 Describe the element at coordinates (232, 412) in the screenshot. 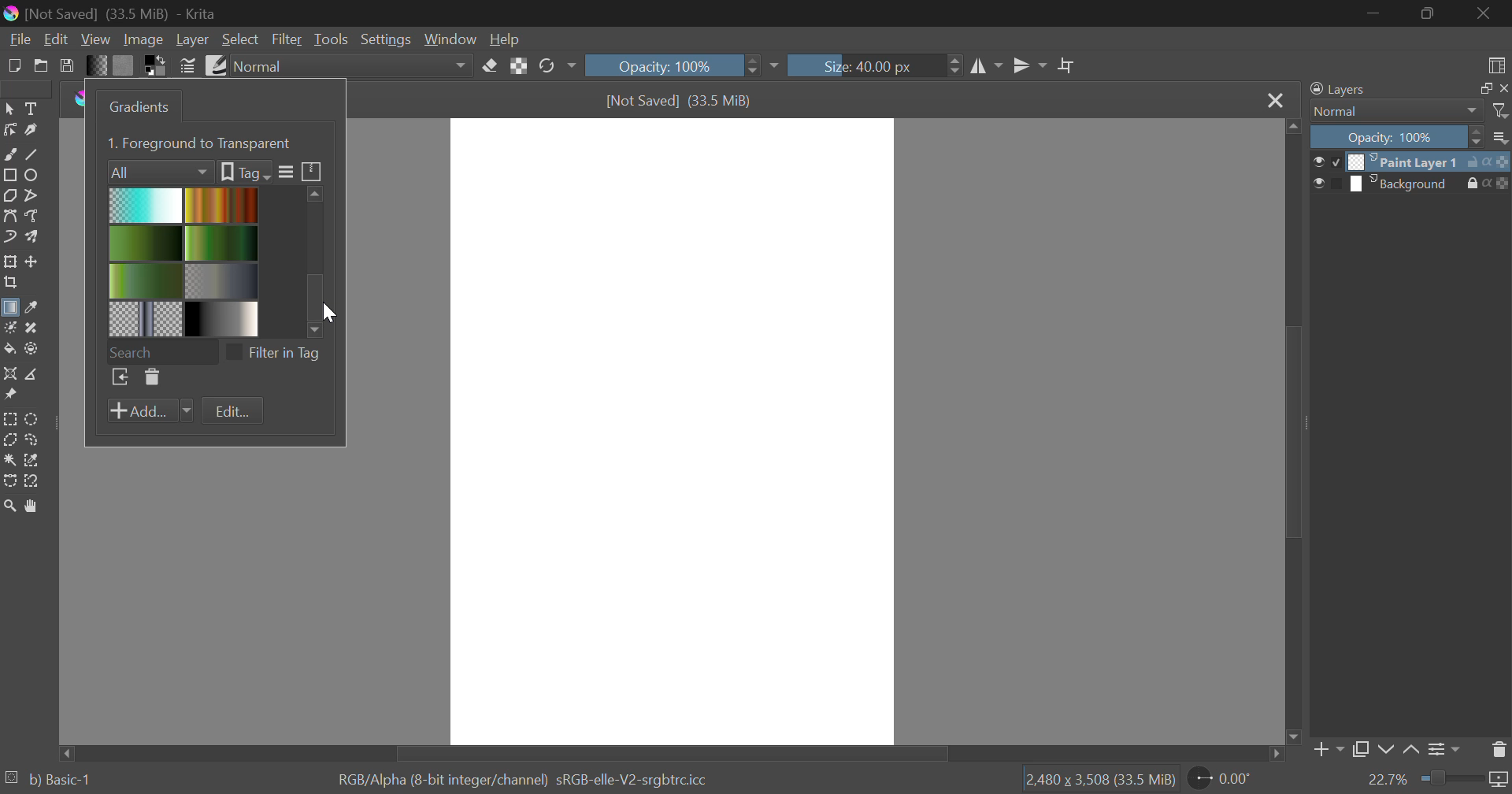

I see `Edit...` at that location.